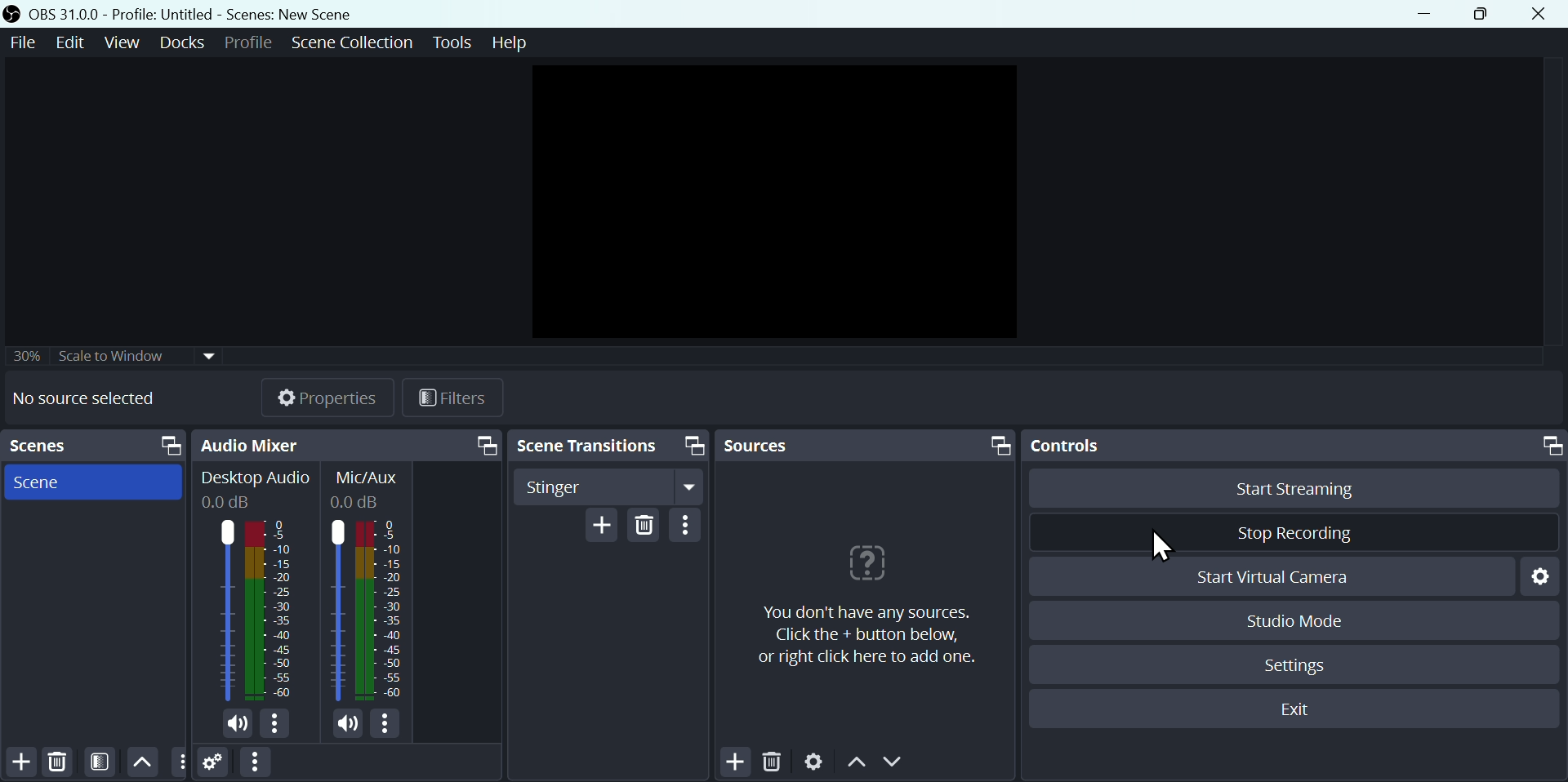  I want to click on maximize, so click(1549, 445).